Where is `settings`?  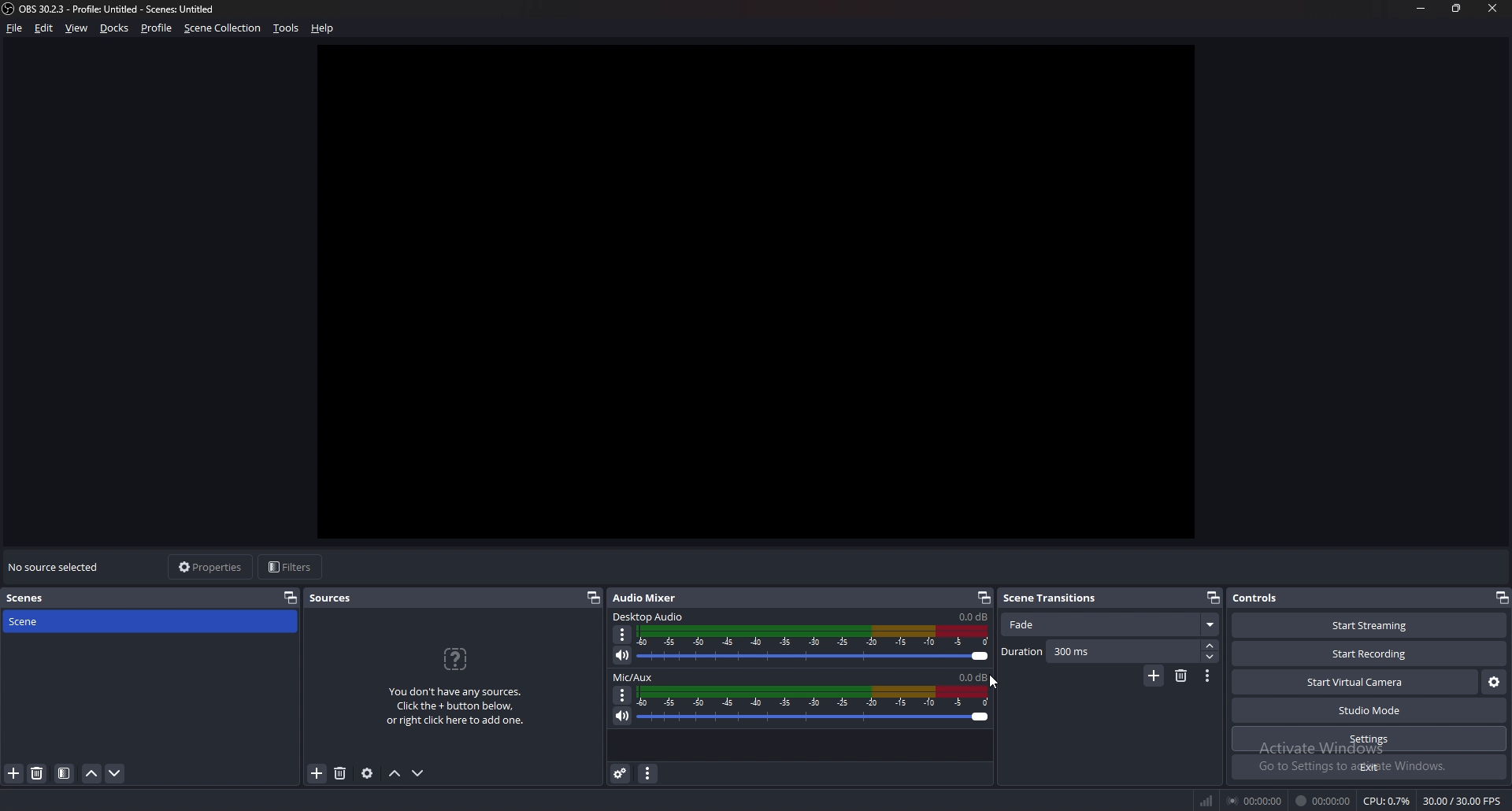 settings is located at coordinates (1369, 739).